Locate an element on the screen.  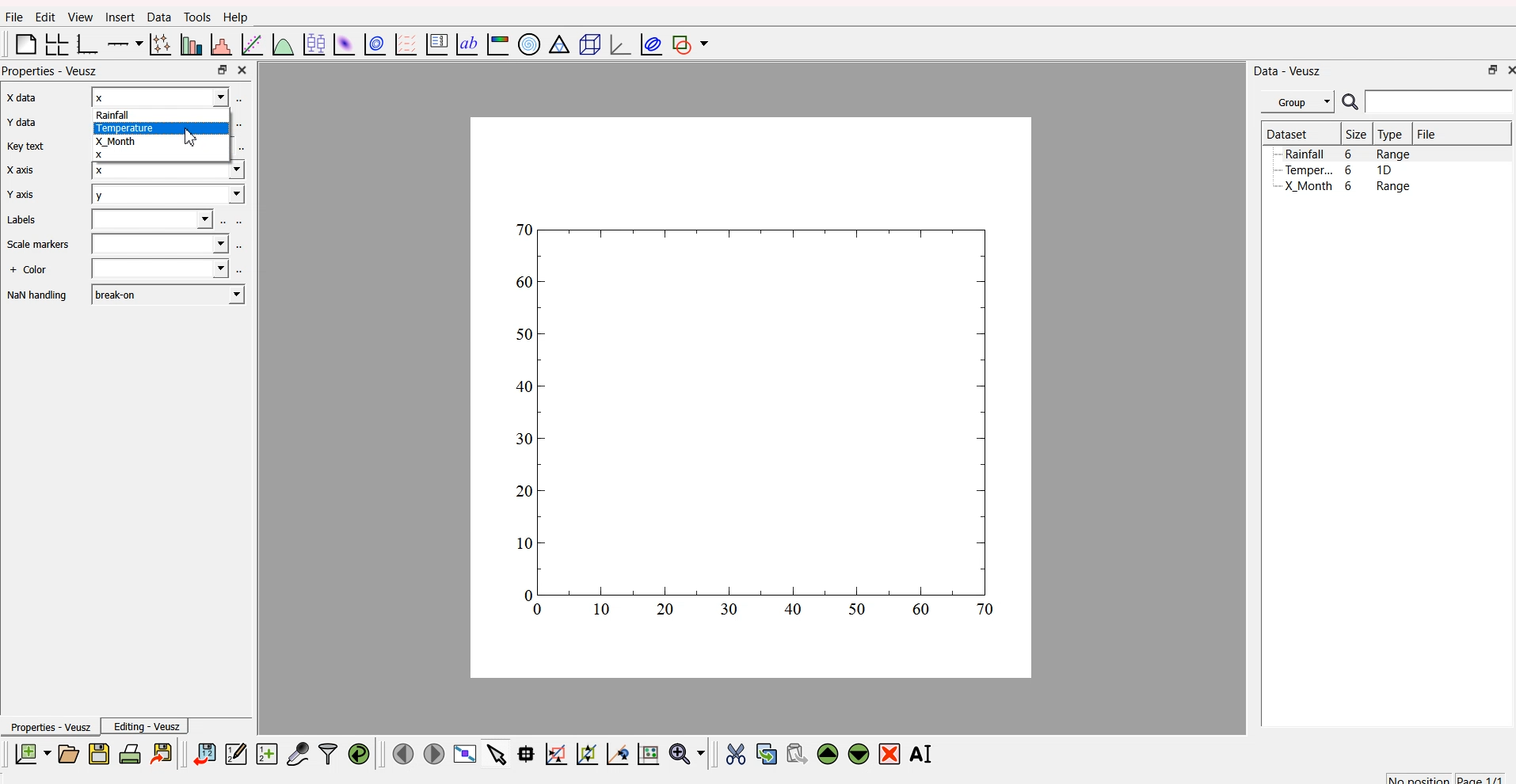
field is located at coordinates (163, 244).